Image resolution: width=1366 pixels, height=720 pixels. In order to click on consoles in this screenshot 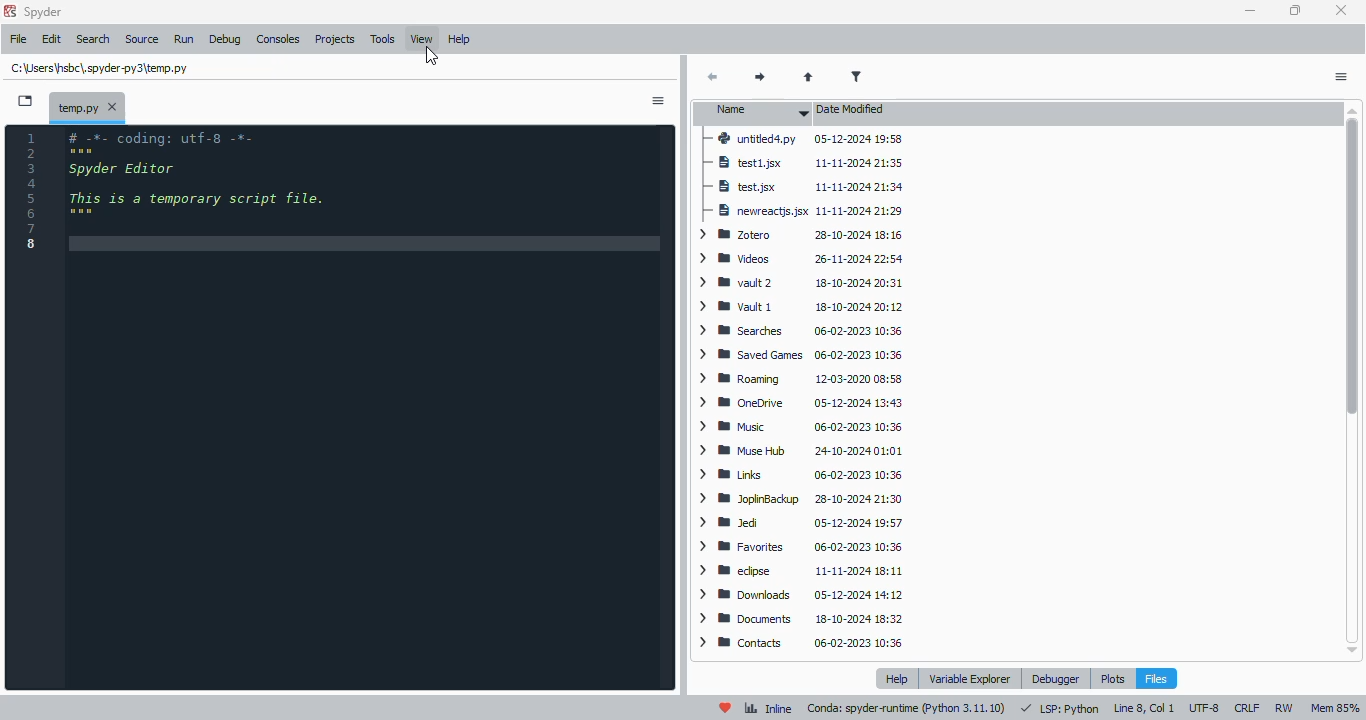, I will do `click(279, 39)`.